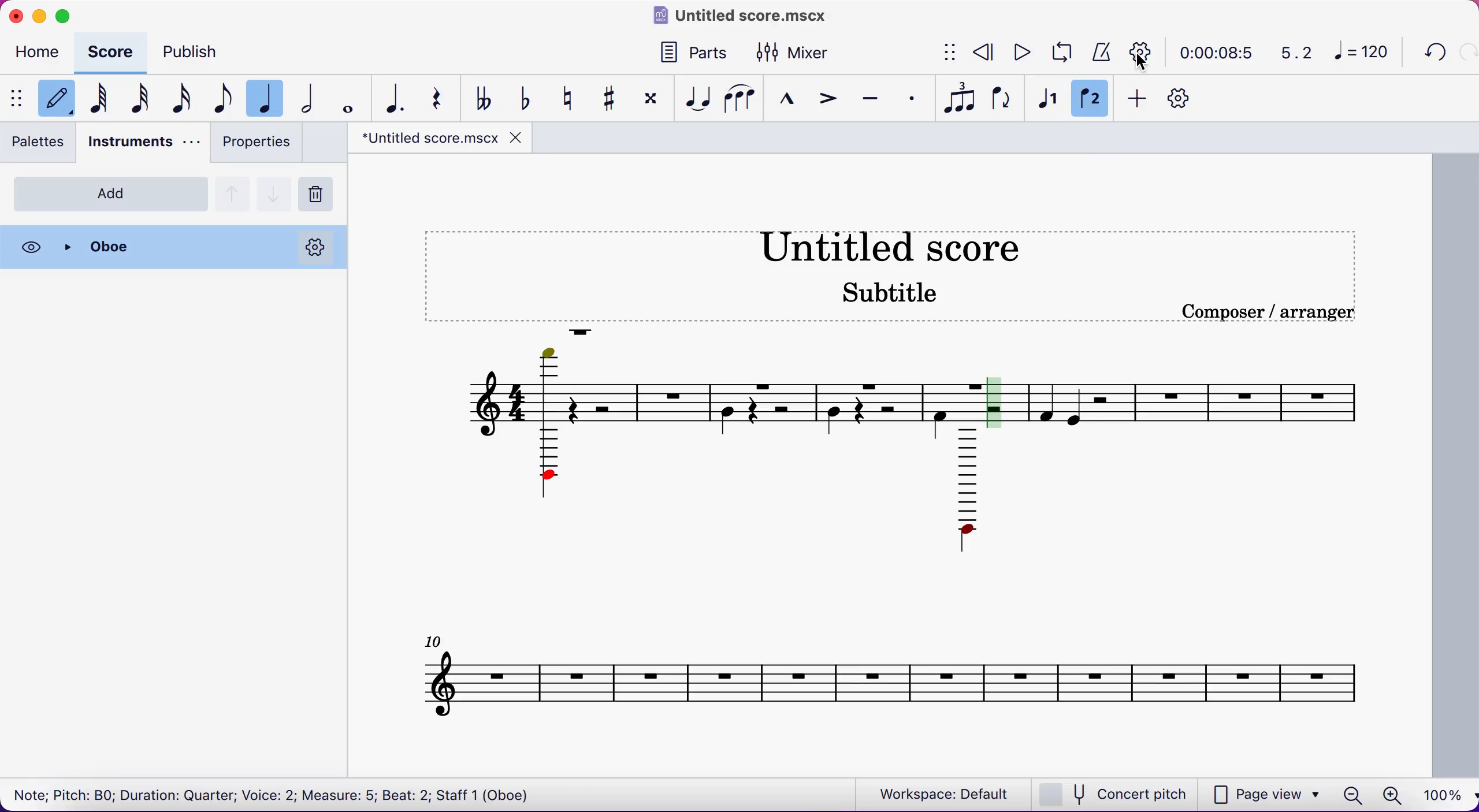 The image size is (1479, 812). What do you see at coordinates (428, 138) in the screenshot?
I see `"Untitled score.mscx` at bounding box center [428, 138].